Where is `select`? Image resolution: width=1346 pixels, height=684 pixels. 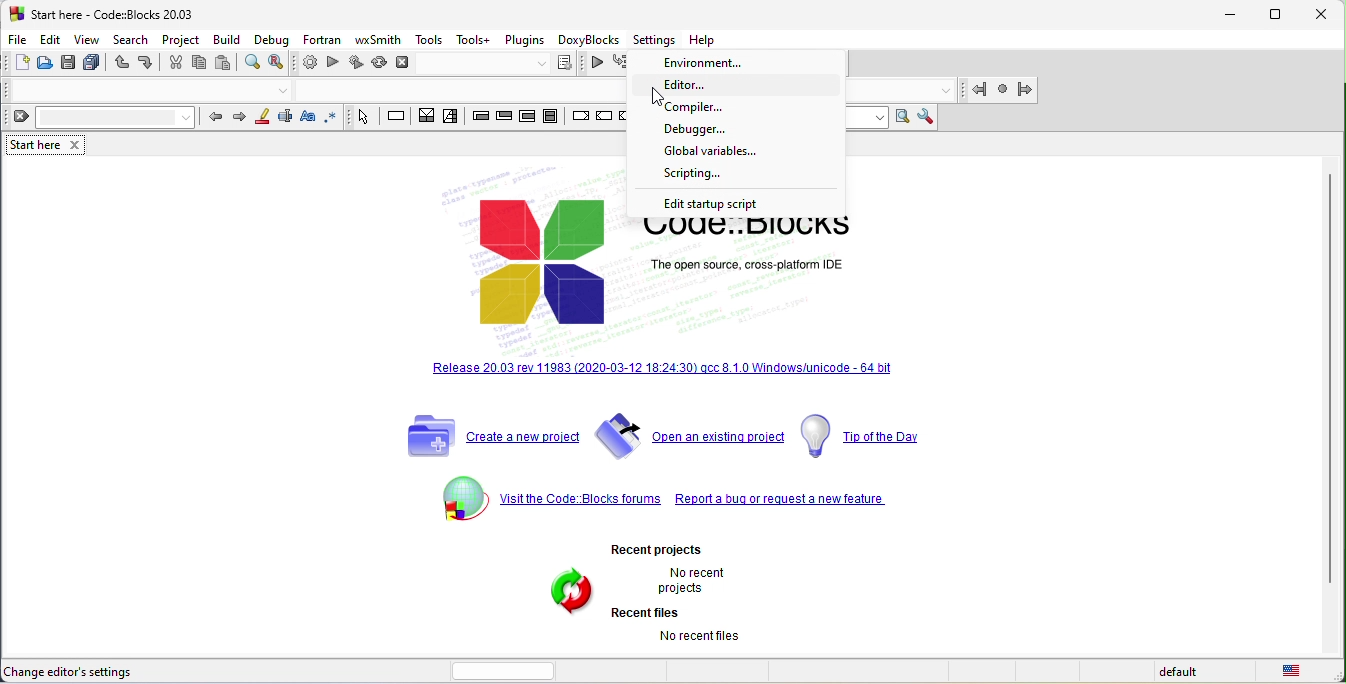
select is located at coordinates (366, 117).